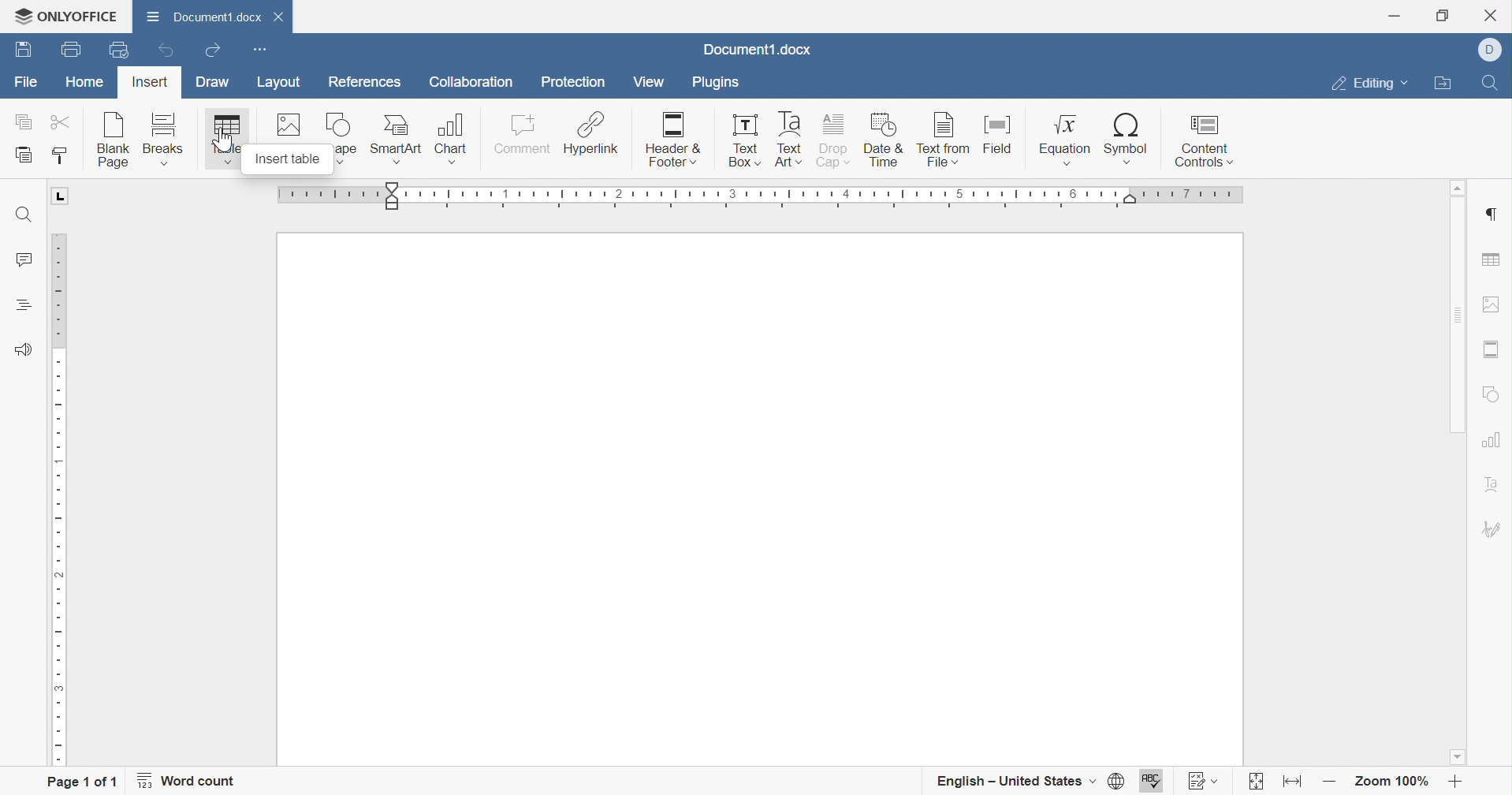 The height and width of the screenshot is (795, 1512). I want to click on Symbol, so click(1128, 137).